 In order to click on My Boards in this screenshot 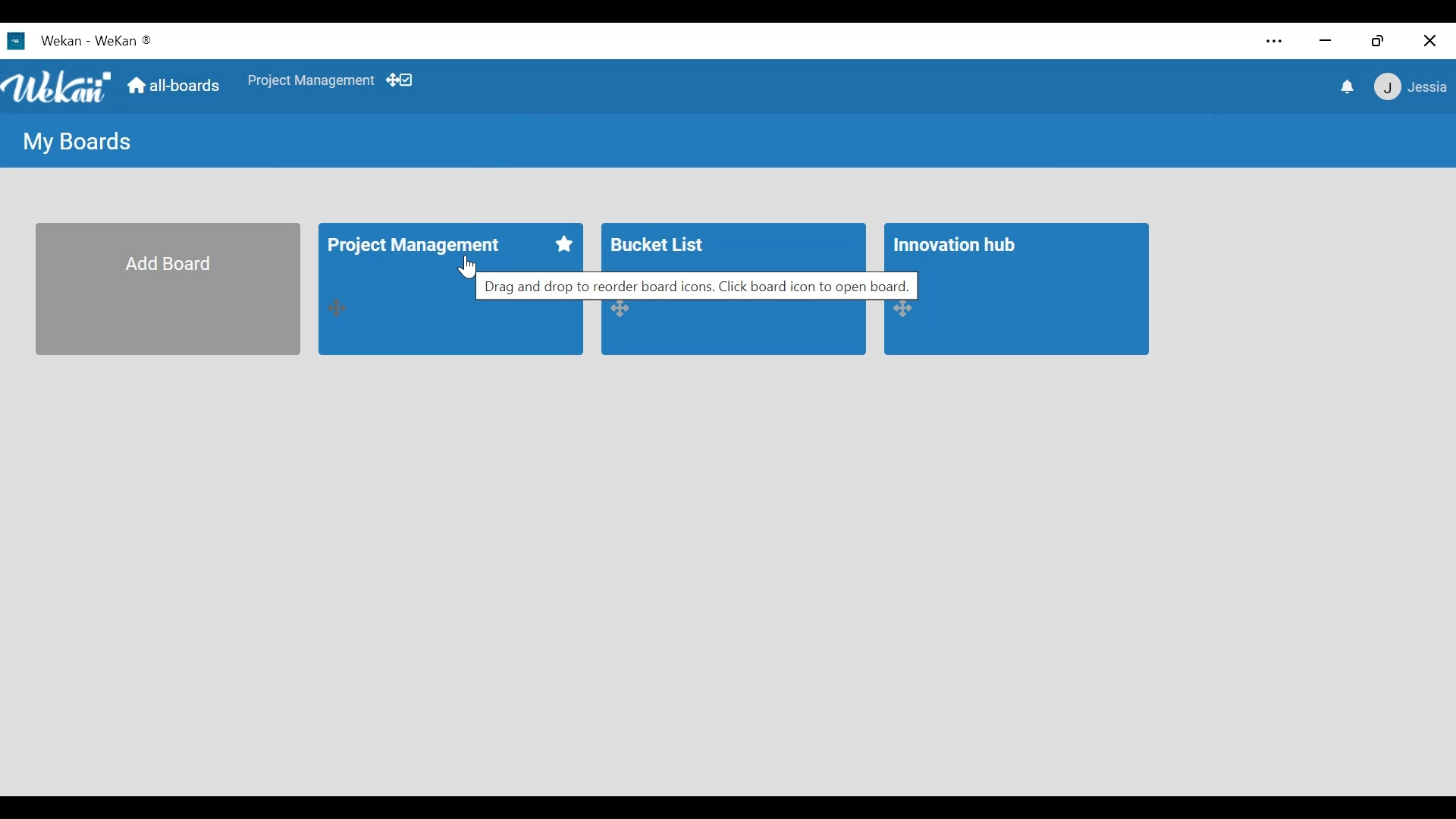, I will do `click(85, 142)`.